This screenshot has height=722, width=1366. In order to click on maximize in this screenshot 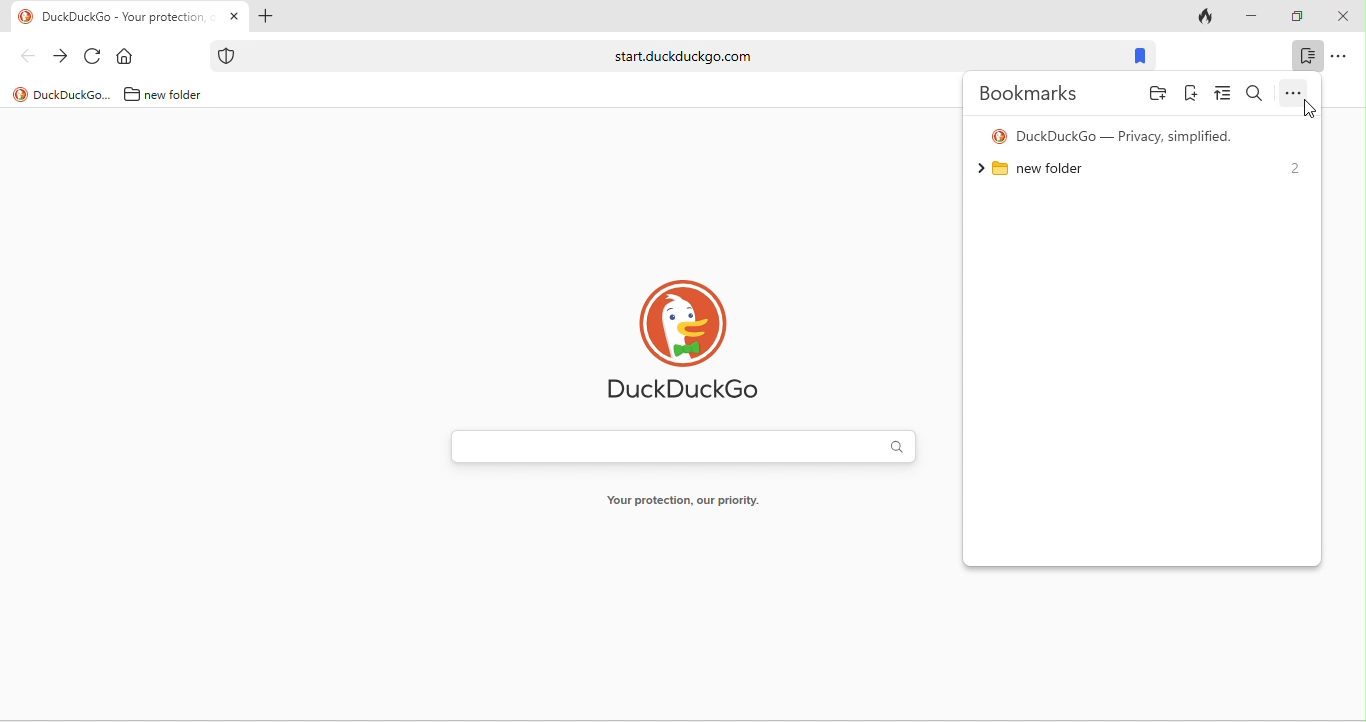, I will do `click(1298, 17)`.